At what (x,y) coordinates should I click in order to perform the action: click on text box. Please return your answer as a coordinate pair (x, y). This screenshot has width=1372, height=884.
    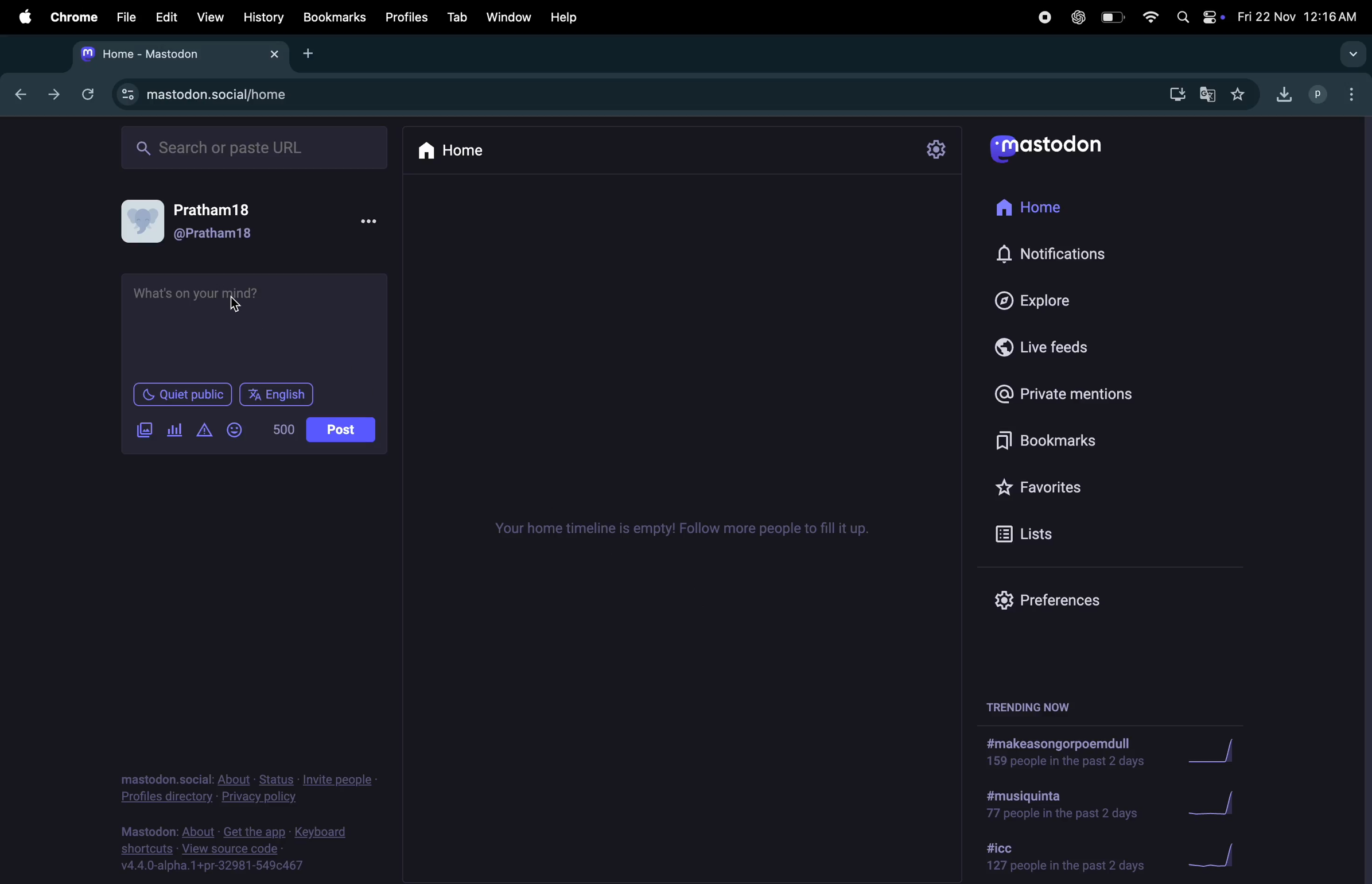
    Looking at the image, I should click on (252, 320).